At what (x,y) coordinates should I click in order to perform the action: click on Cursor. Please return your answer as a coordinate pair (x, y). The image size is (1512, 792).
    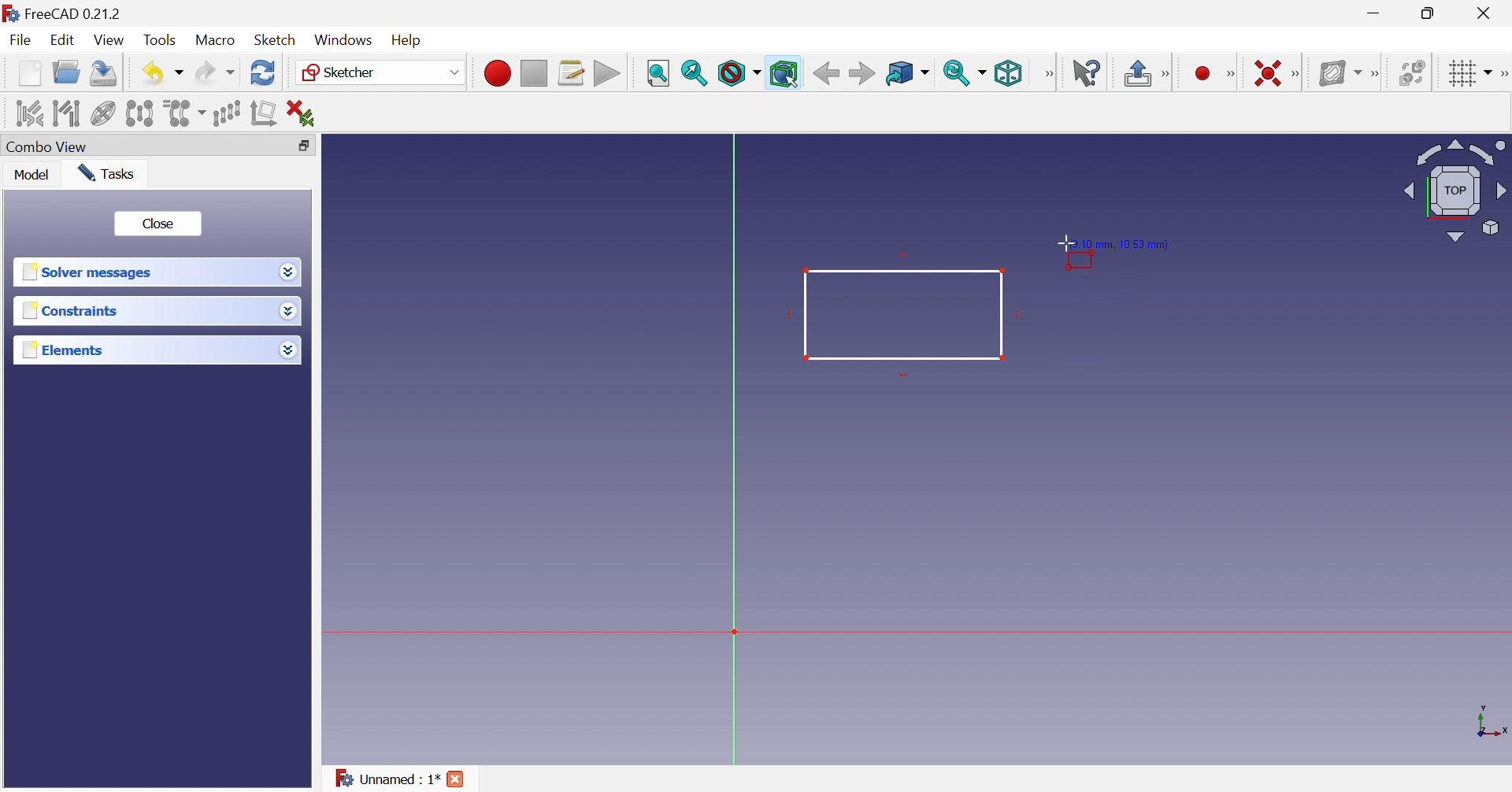
    Looking at the image, I should click on (1065, 242).